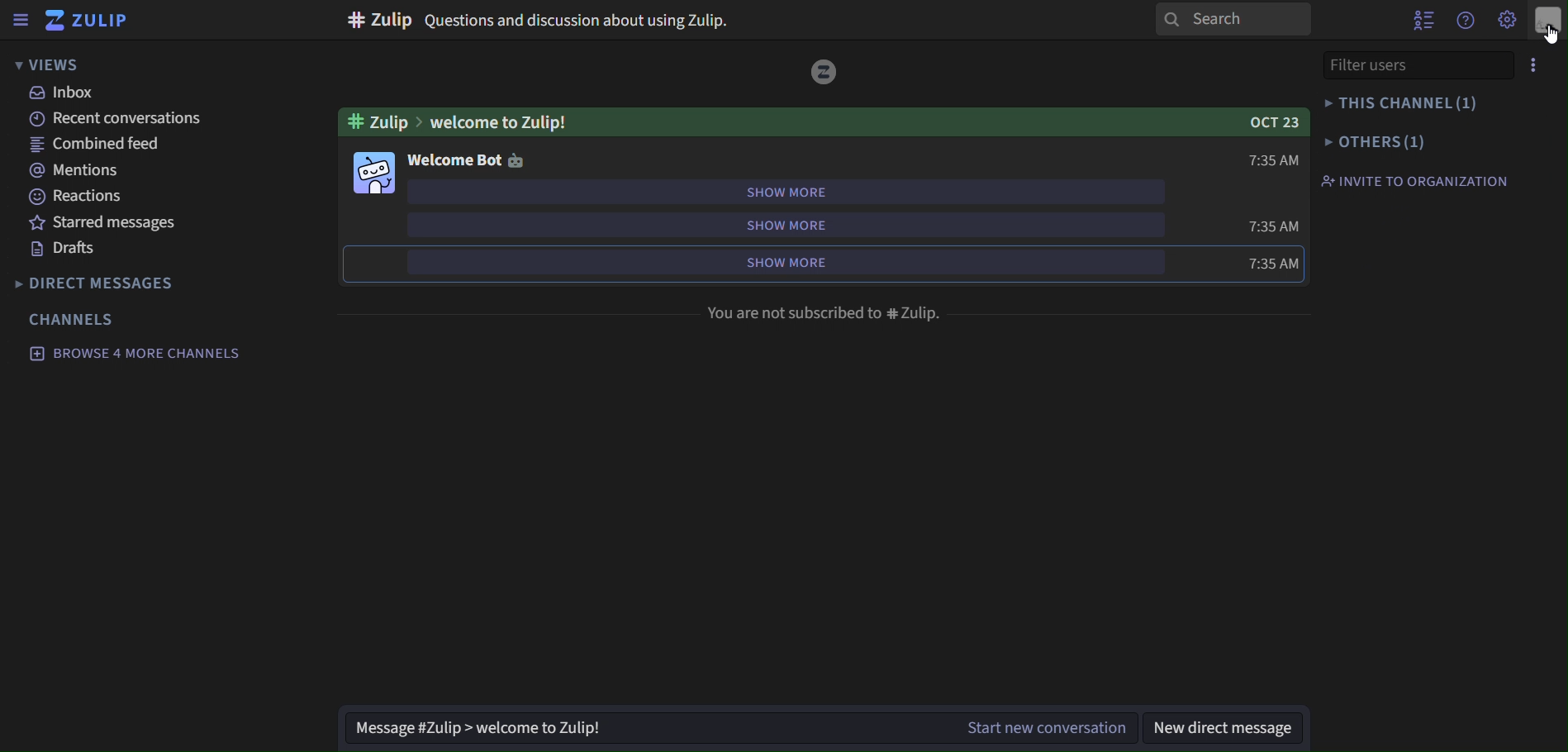  Describe the element at coordinates (1362, 67) in the screenshot. I see `filter users` at that location.